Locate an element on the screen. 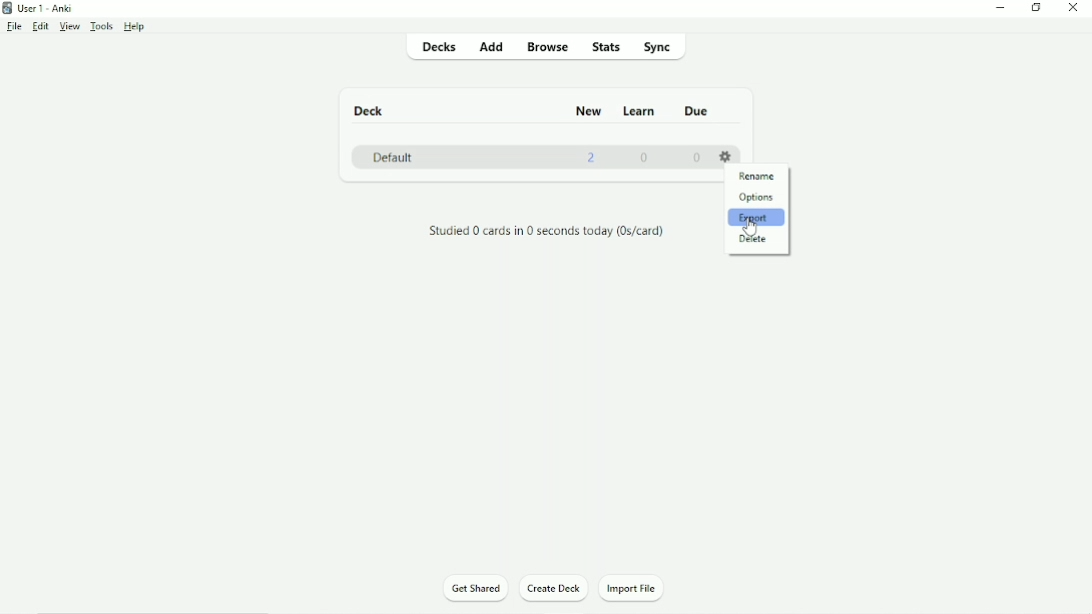 This screenshot has width=1092, height=614. New is located at coordinates (590, 112).